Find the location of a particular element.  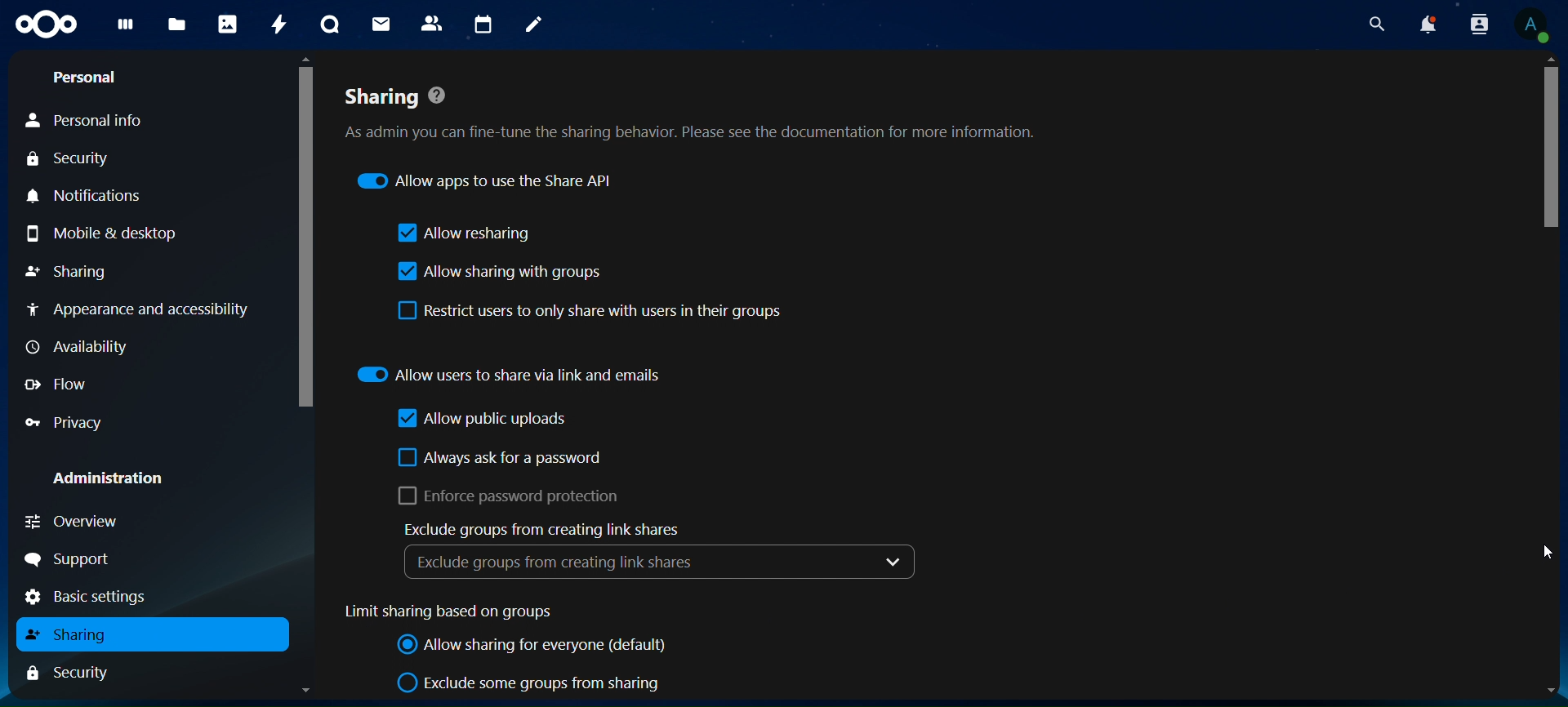

calendar is located at coordinates (482, 23).